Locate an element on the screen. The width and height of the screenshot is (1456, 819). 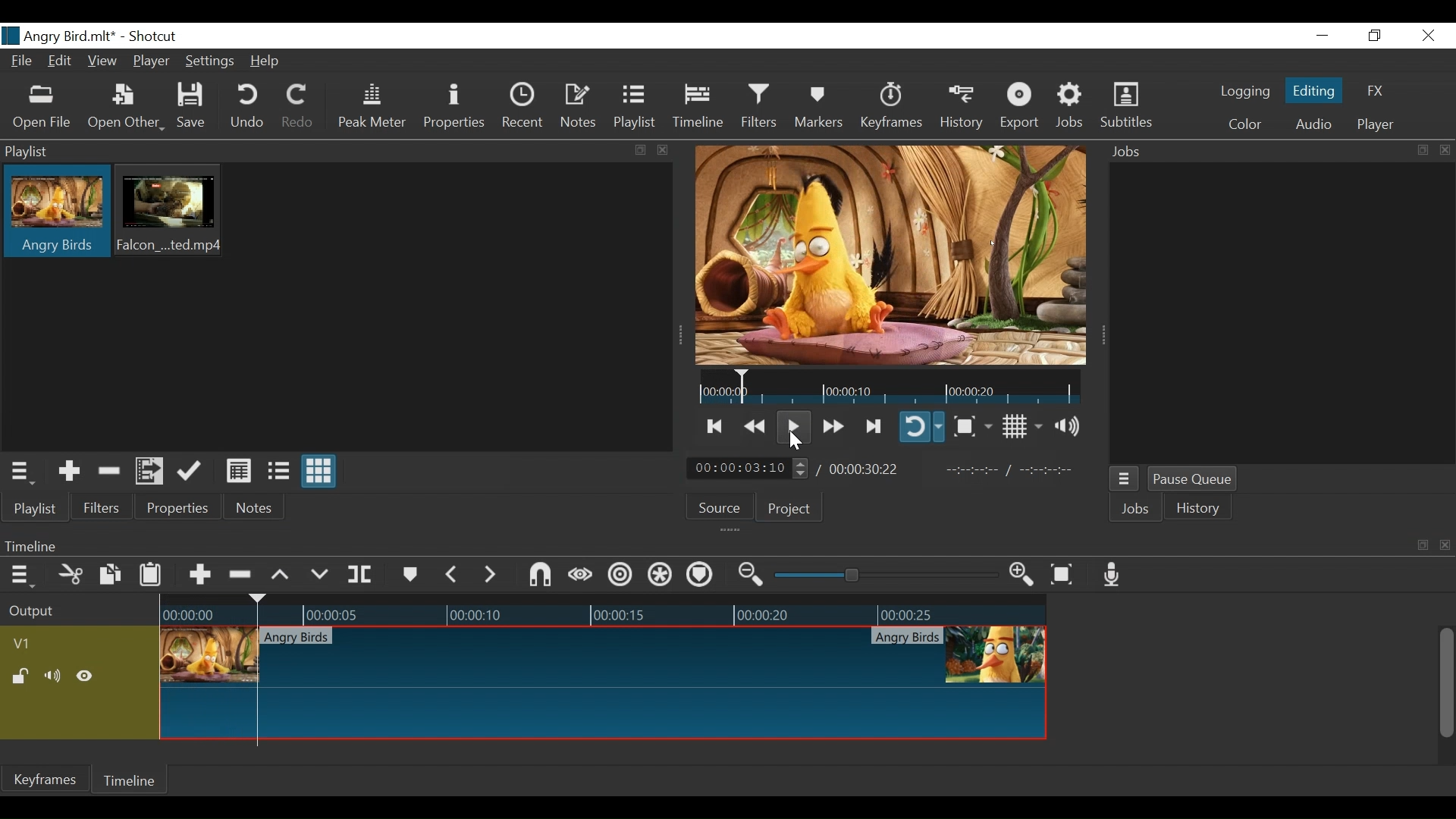
Clip is located at coordinates (174, 212).